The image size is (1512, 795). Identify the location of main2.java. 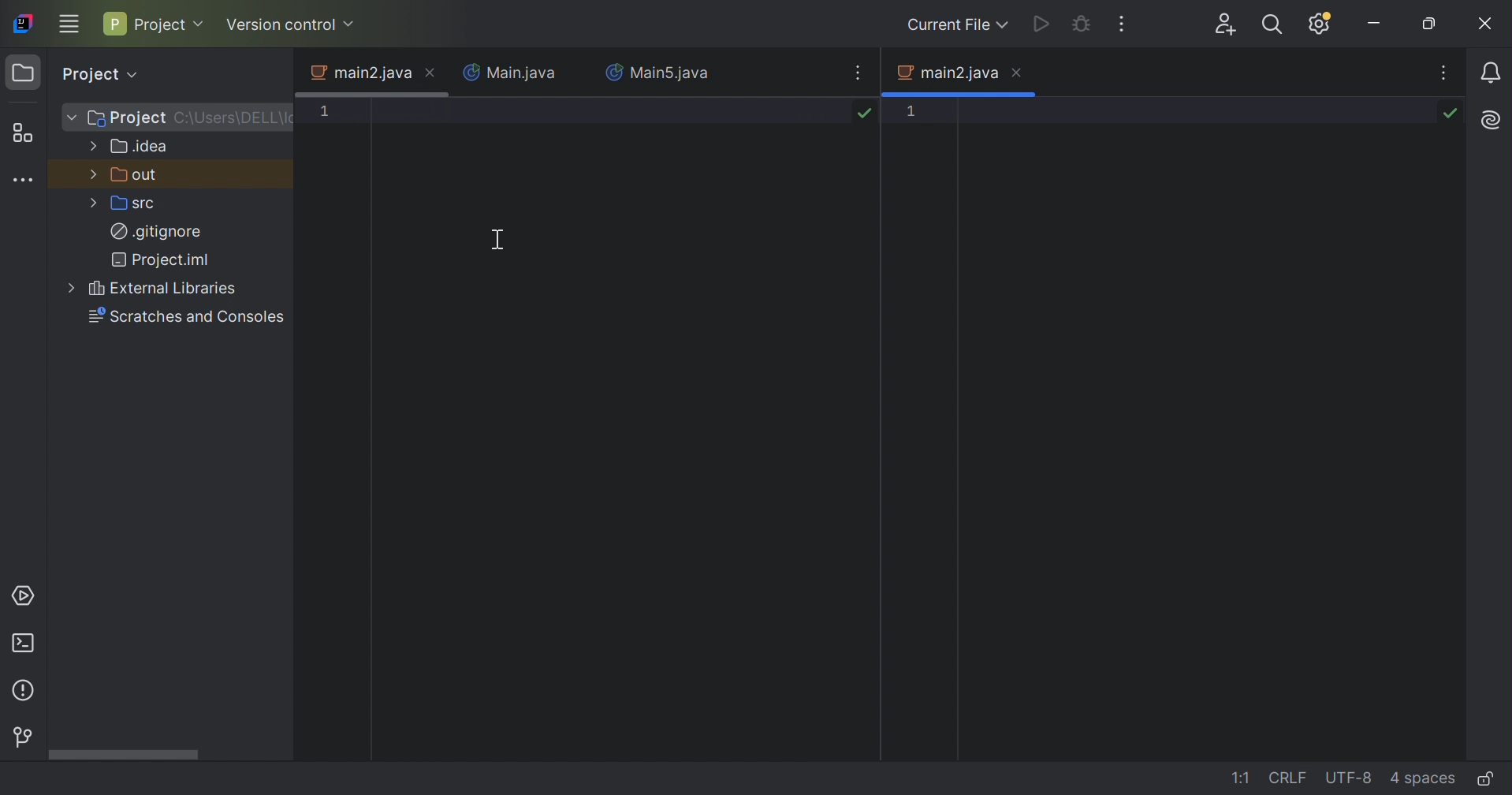
(945, 73).